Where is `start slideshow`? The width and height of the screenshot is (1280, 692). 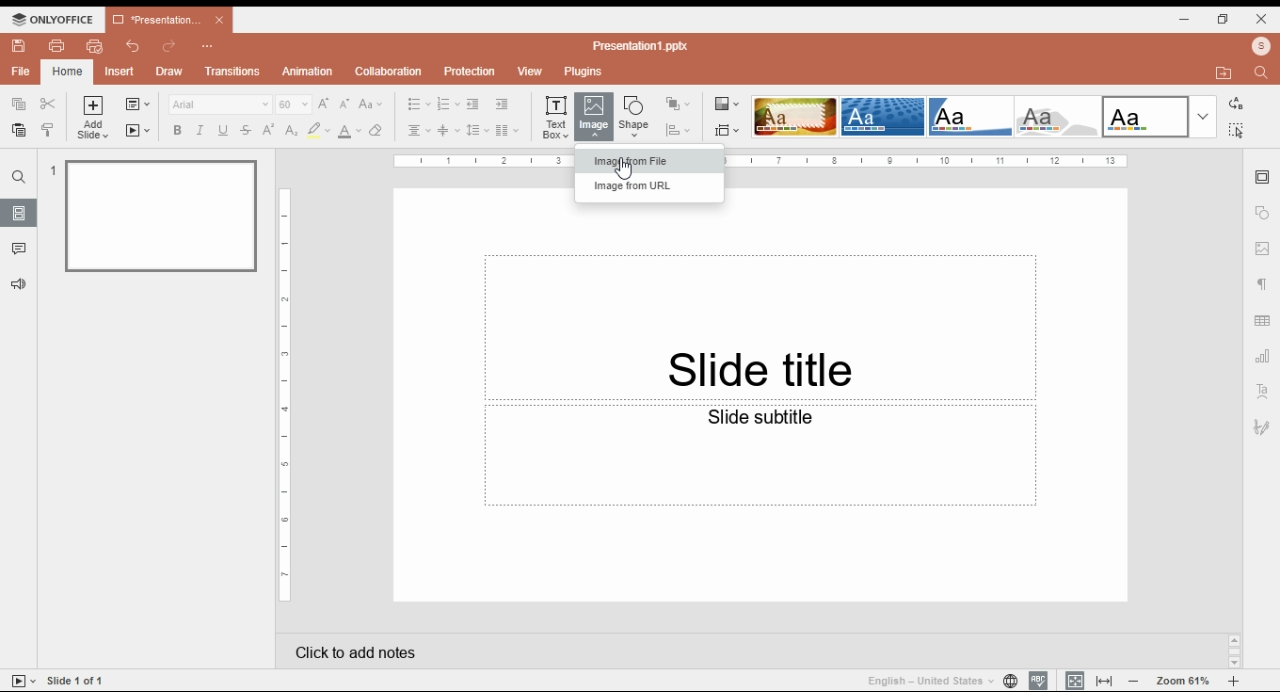
start slideshow is located at coordinates (140, 130).